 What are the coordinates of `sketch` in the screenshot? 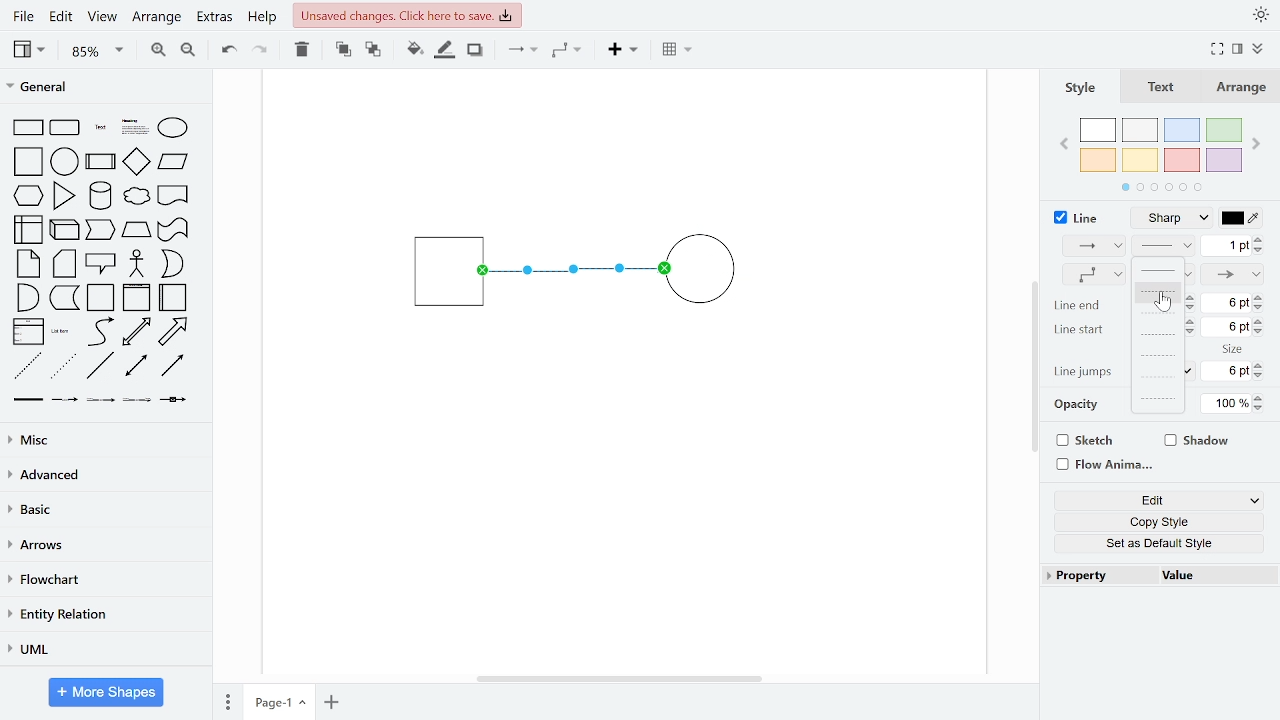 It's located at (1082, 441).